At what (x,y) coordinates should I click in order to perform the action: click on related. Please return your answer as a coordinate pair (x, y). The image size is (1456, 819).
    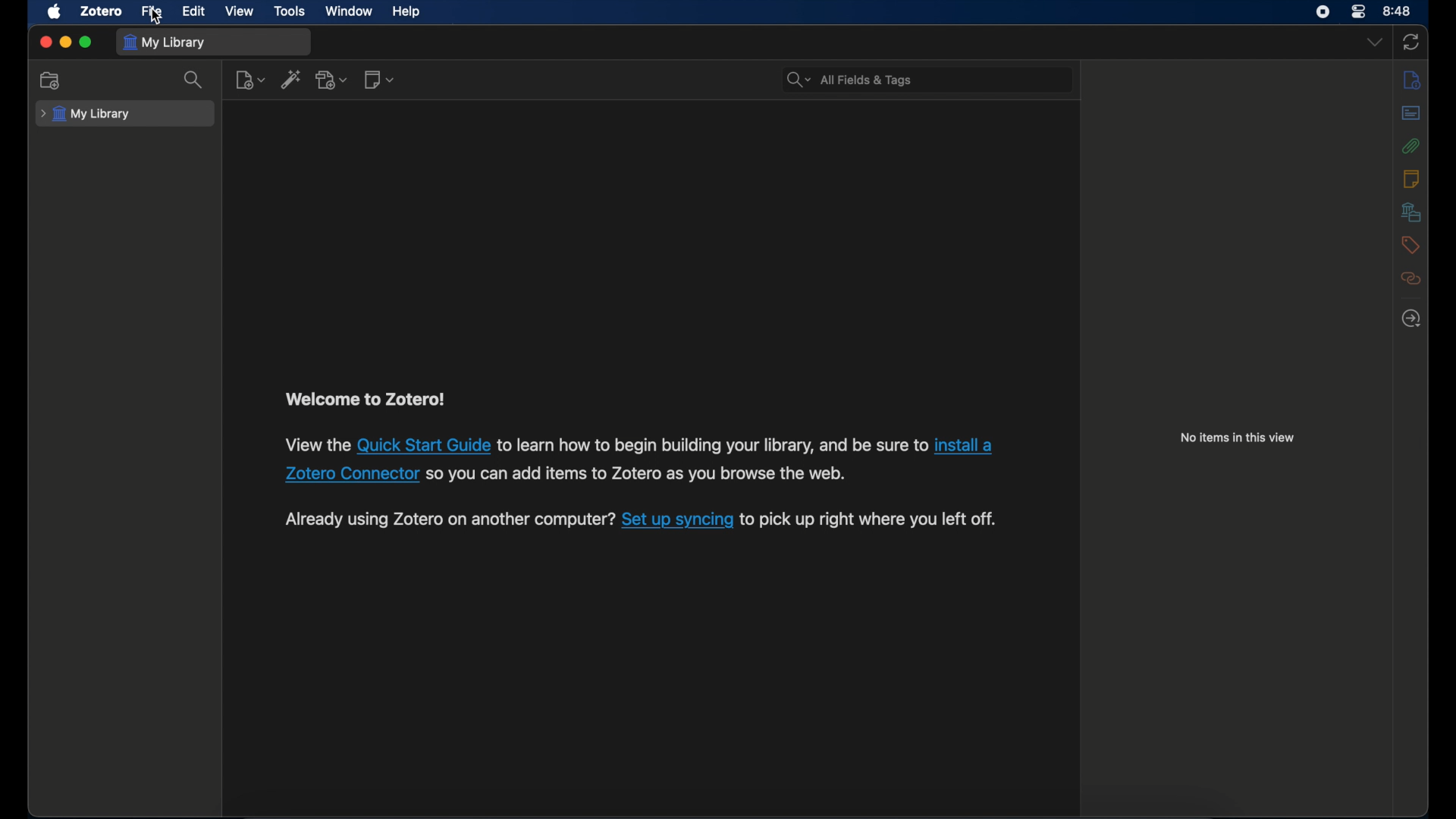
    Looking at the image, I should click on (1411, 279).